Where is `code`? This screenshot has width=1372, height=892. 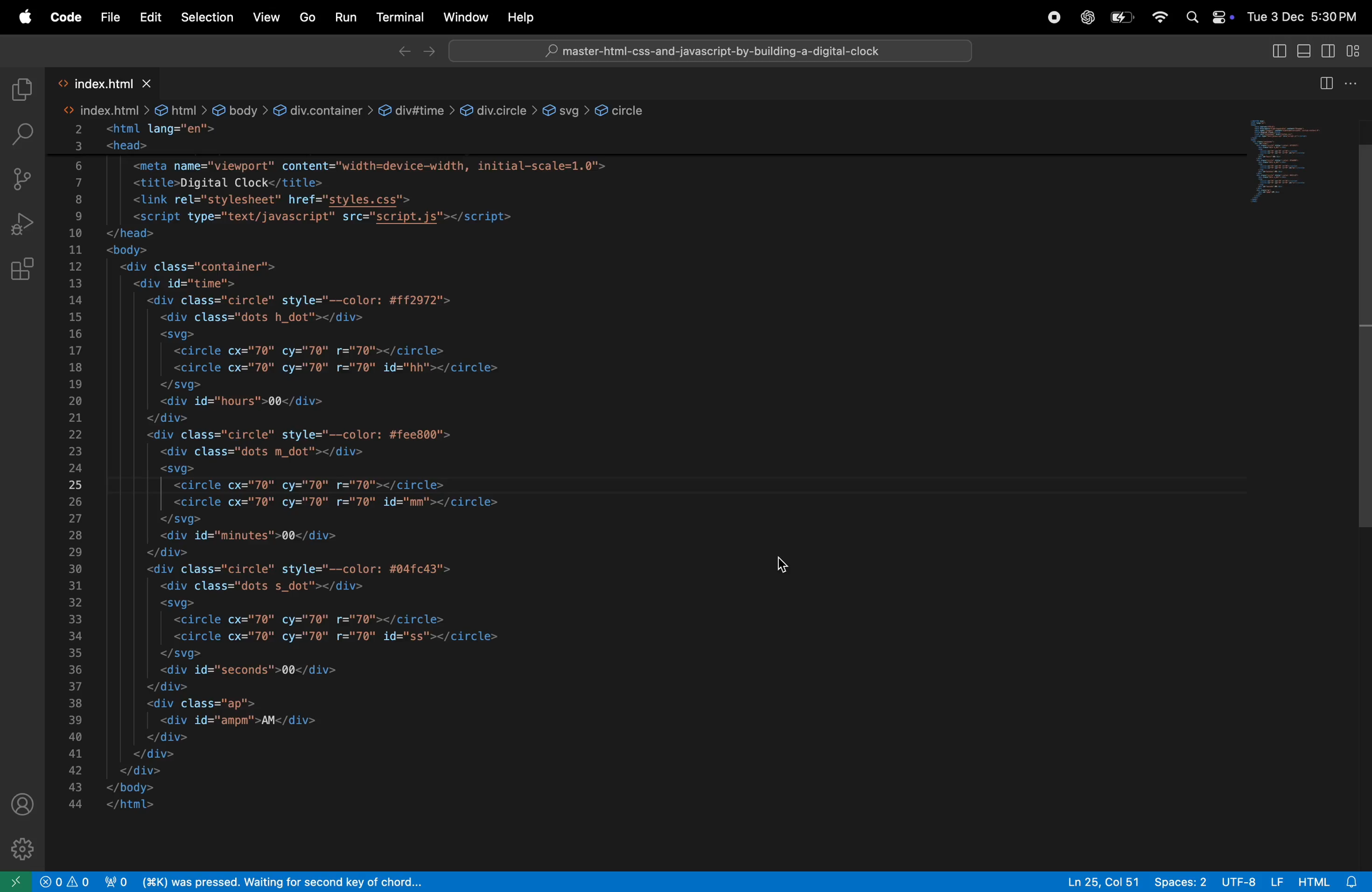
code is located at coordinates (65, 18).